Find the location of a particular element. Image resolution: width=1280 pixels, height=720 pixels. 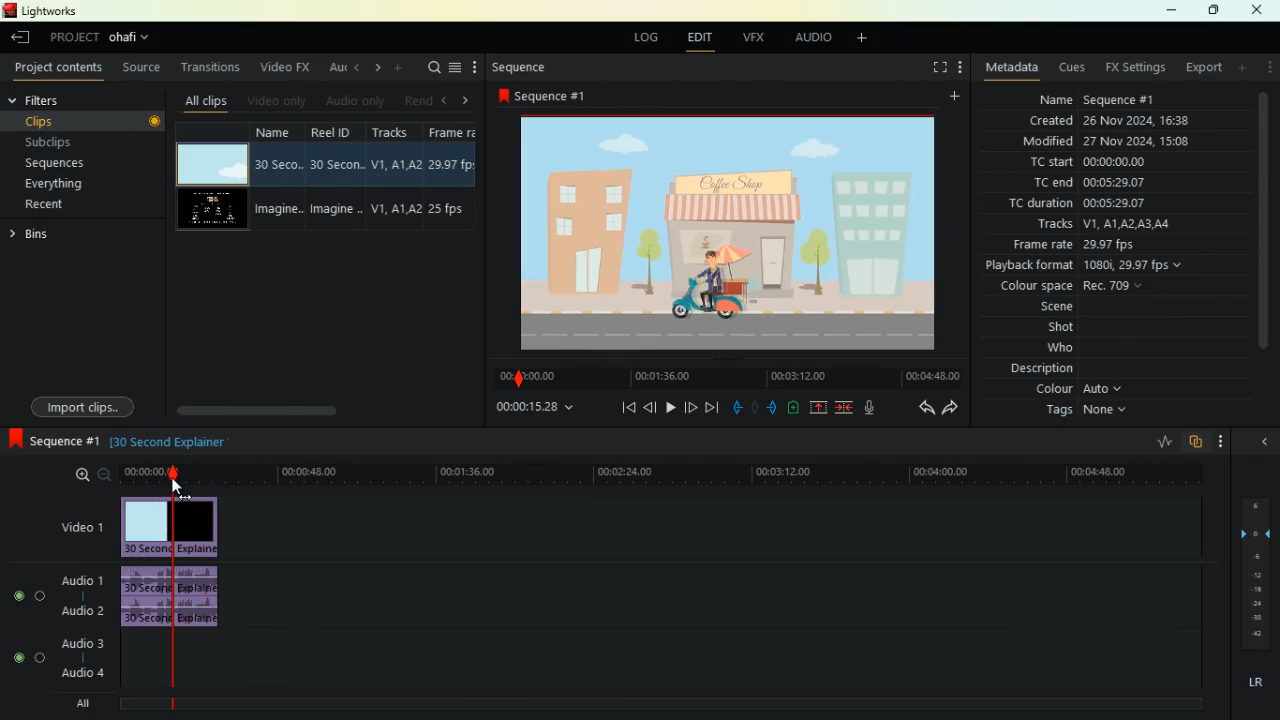

log is located at coordinates (640, 37).